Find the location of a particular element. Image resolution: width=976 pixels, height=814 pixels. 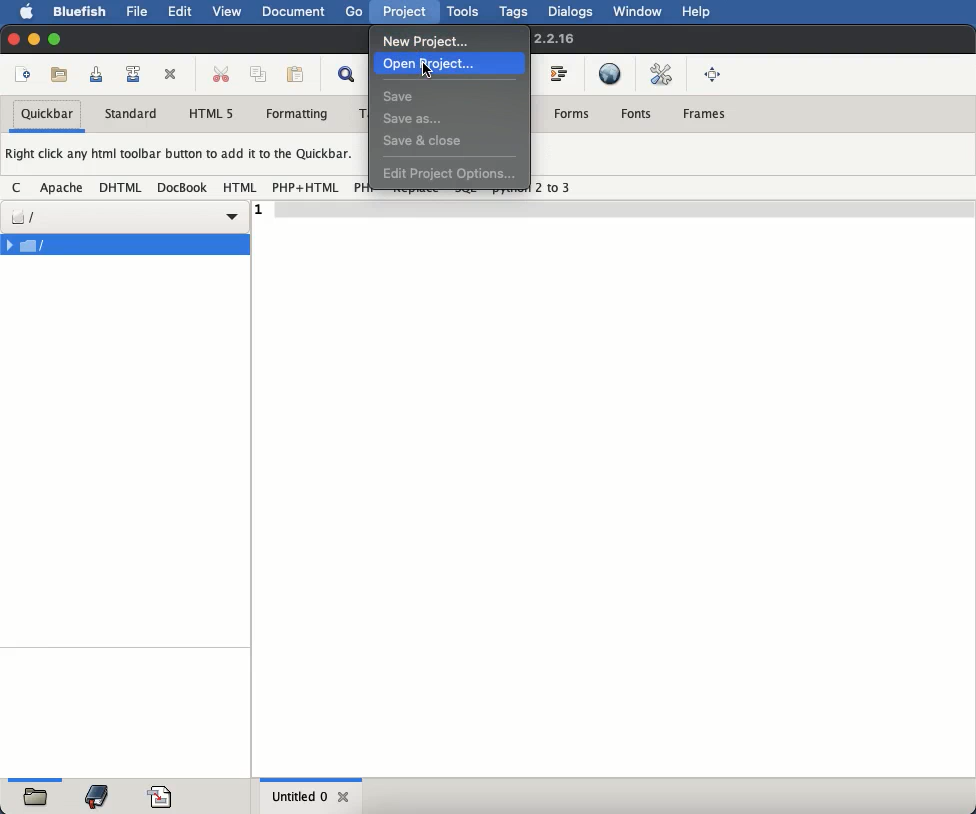

untitled 0 is located at coordinates (301, 801).